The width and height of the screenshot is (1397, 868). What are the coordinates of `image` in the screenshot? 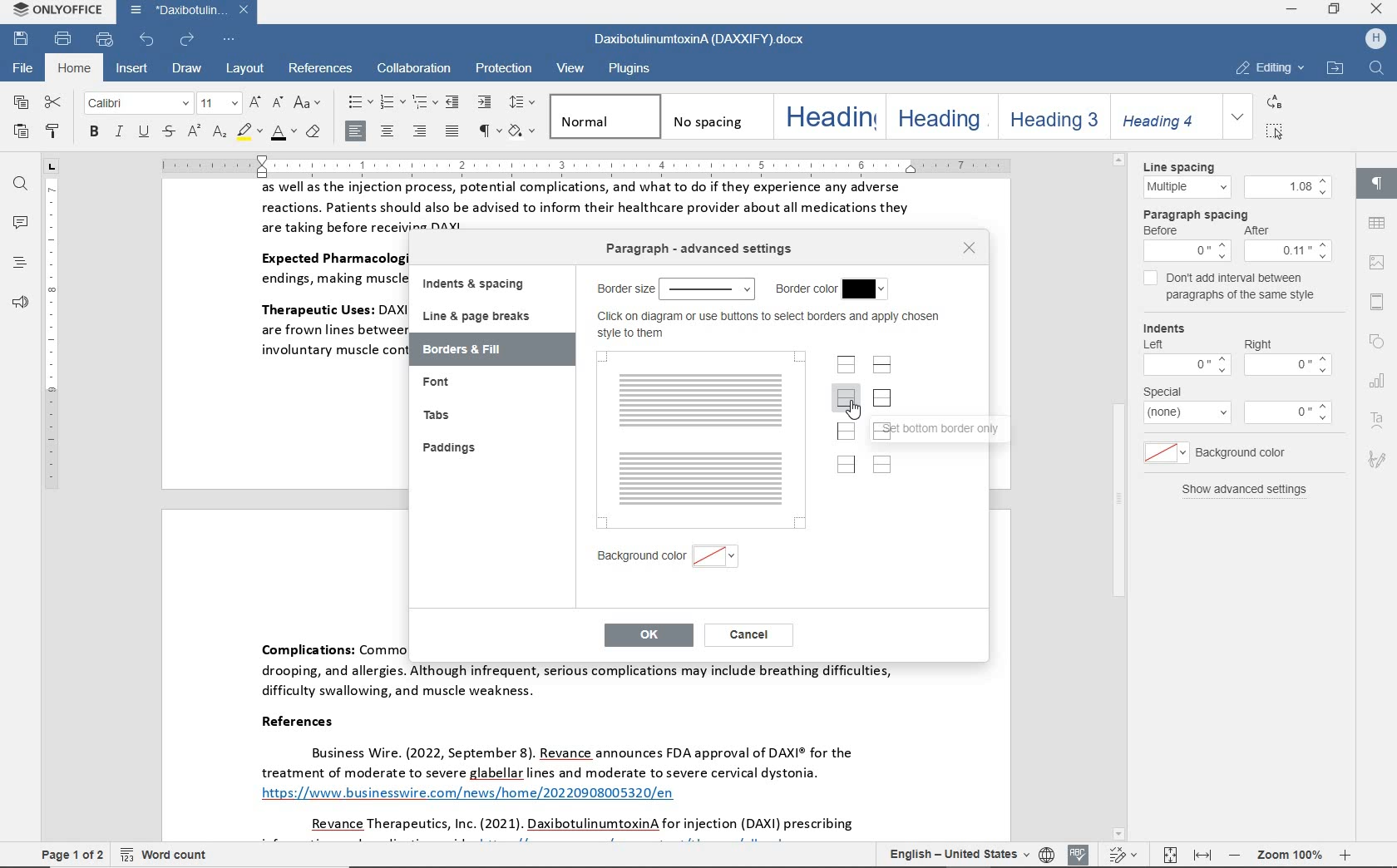 It's located at (1377, 264).